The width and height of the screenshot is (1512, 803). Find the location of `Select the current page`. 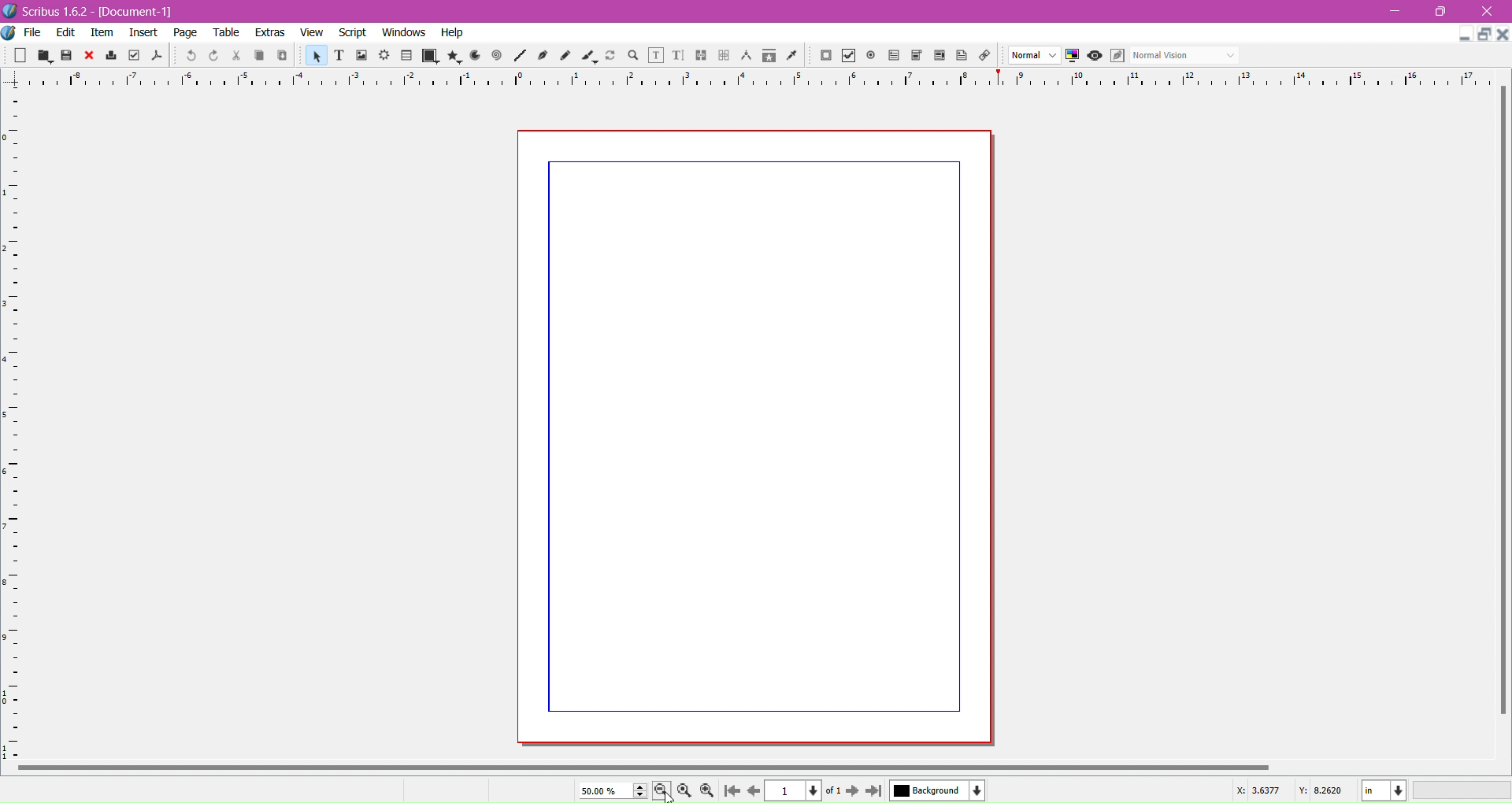

Select the current page is located at coordinates (803, 791).